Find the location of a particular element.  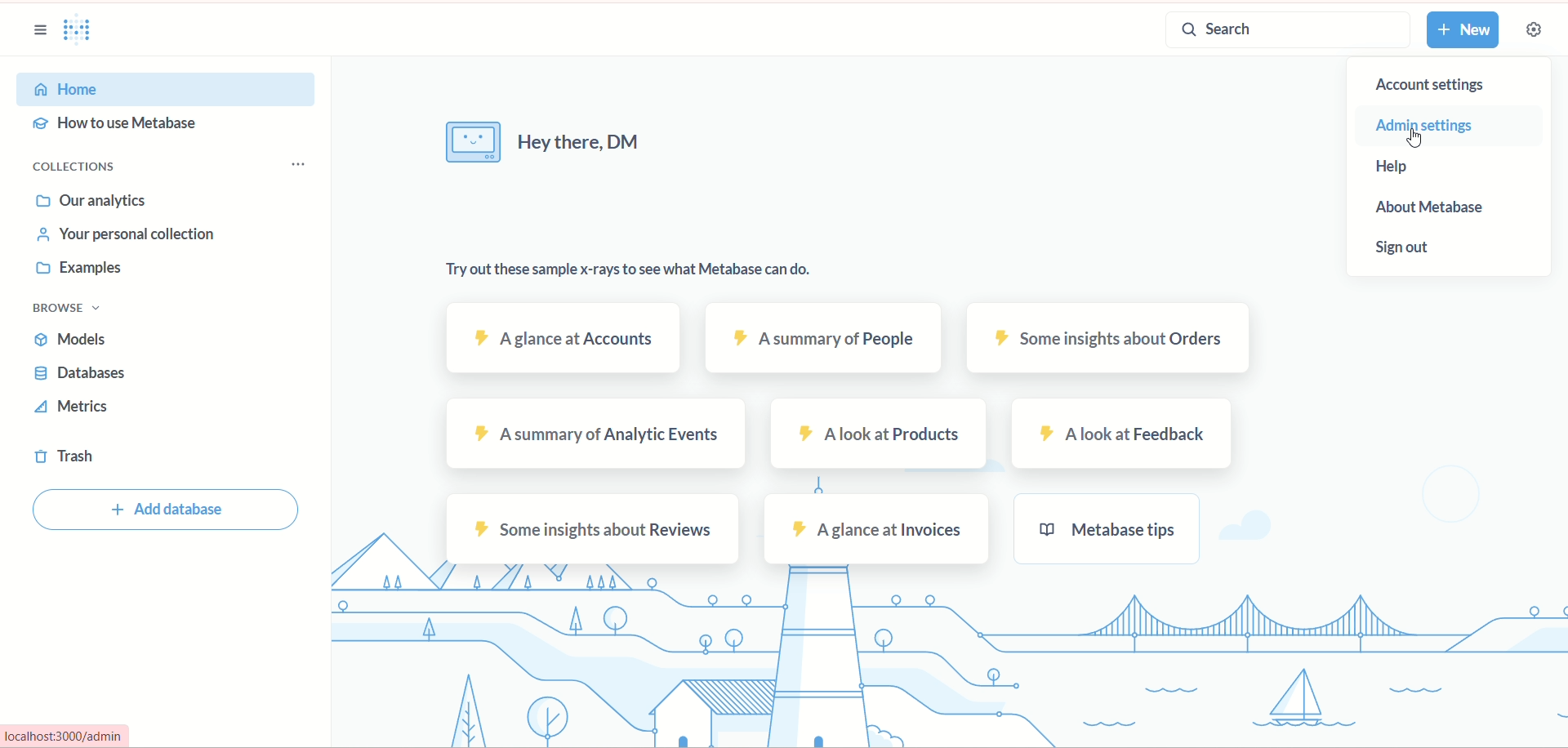

trash is located at coordinates (65, 460).